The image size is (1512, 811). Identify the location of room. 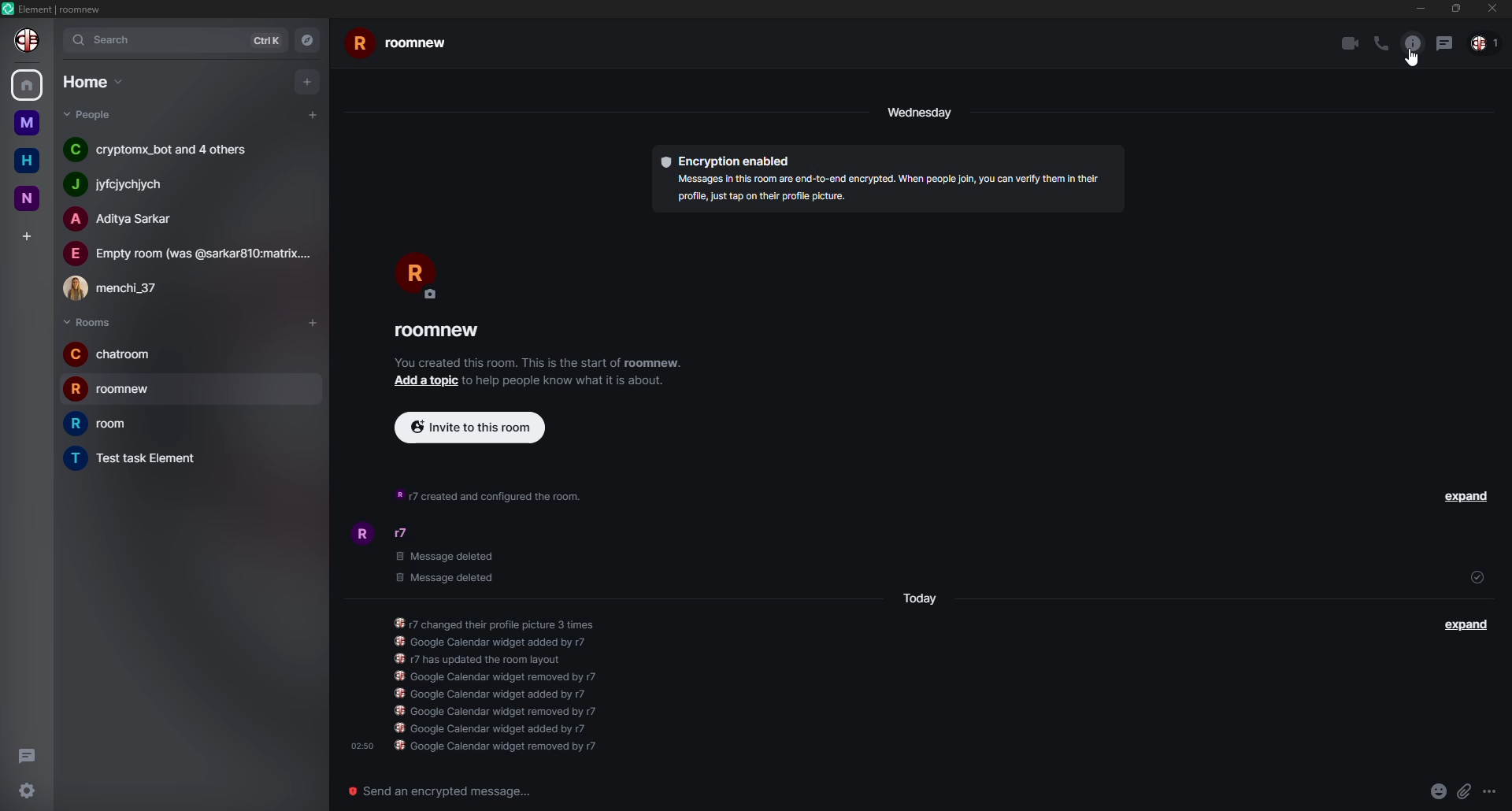
(28, 124).